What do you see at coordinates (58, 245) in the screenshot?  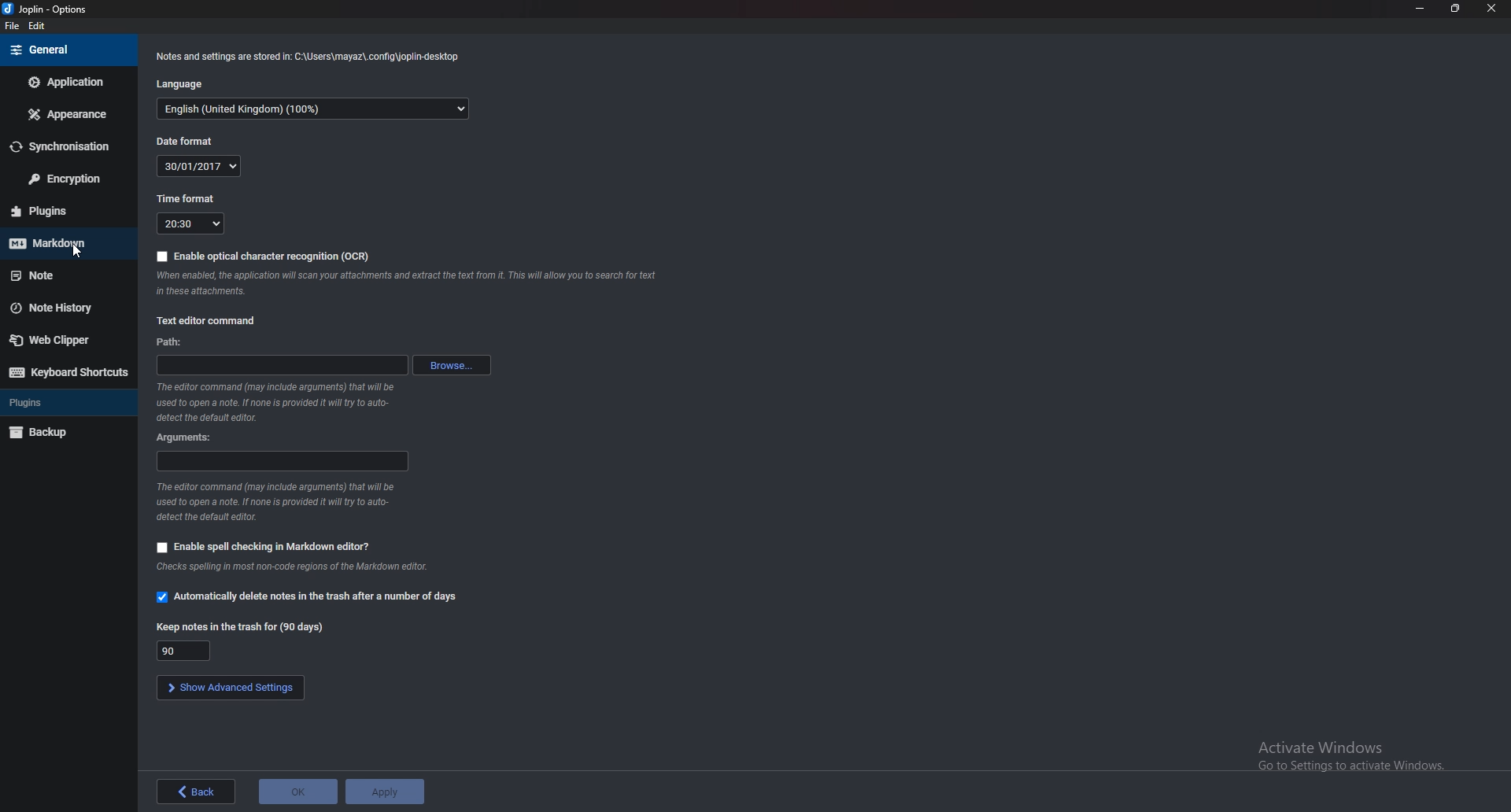 I see `Mark down` at bounding box center [58, 245].